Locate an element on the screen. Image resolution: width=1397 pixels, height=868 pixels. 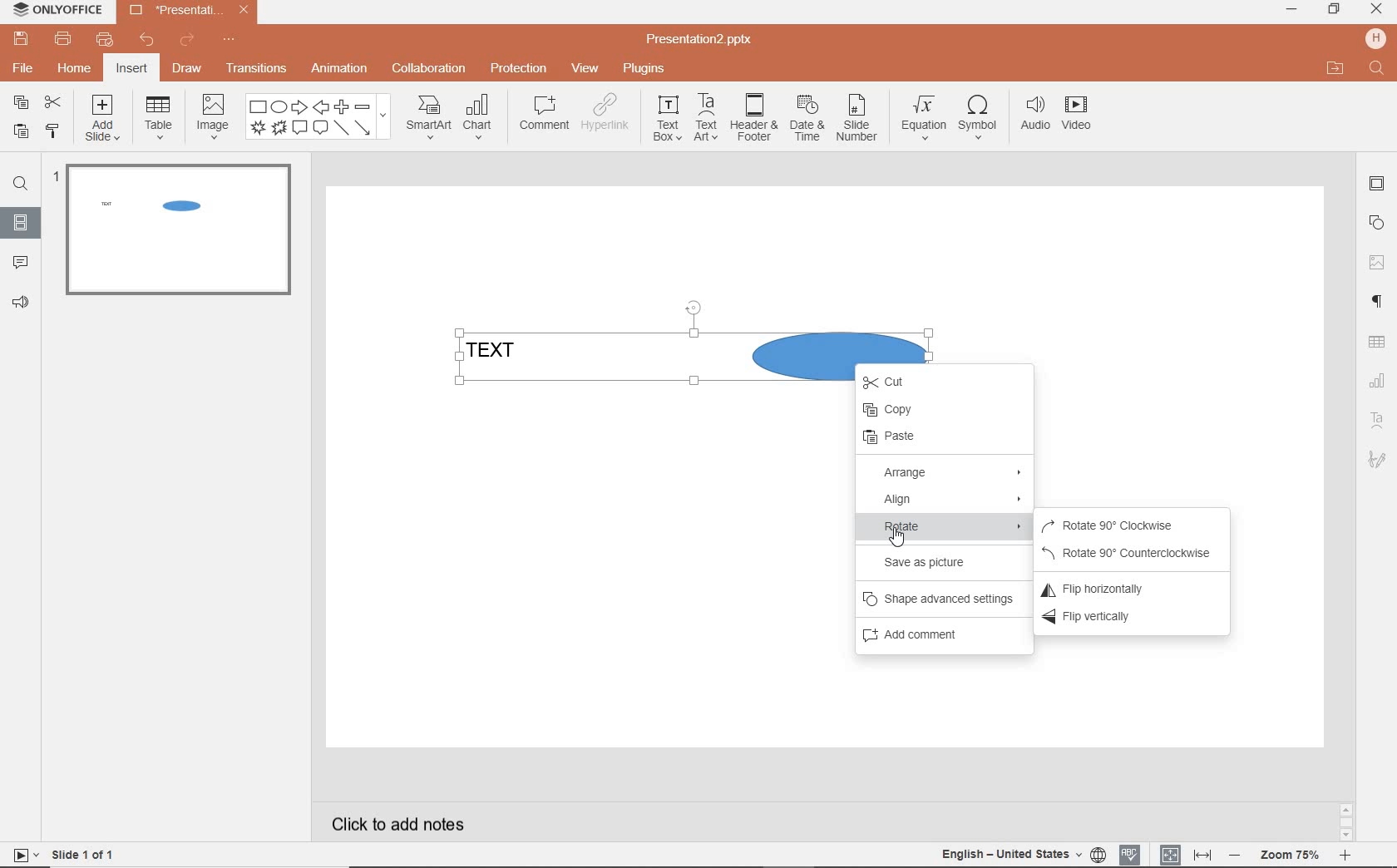
hyperlink is located at coordinates (606, 114).